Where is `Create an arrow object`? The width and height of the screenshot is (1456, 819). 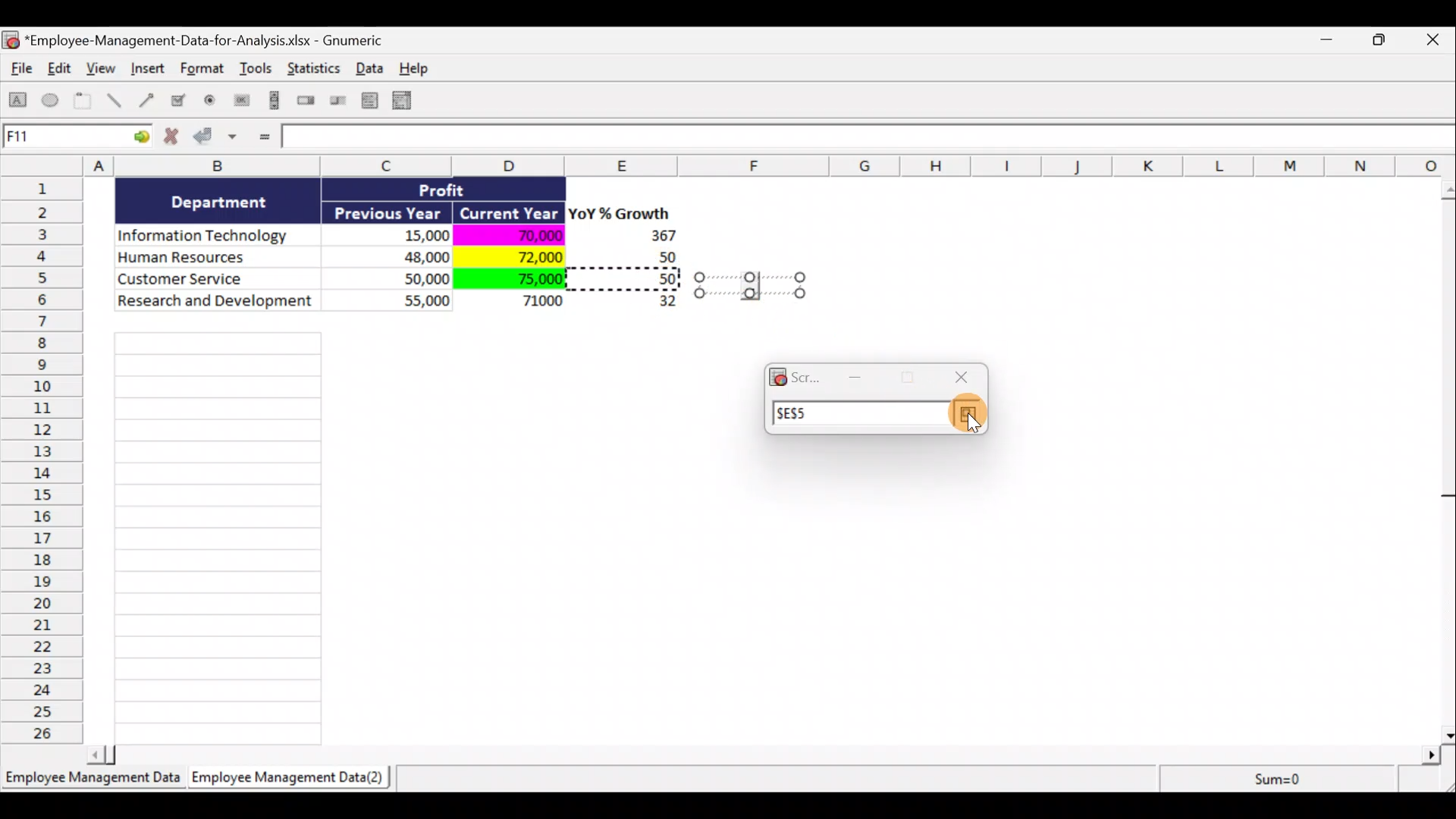 Create an arrow object is located at coordinates (146, 99).